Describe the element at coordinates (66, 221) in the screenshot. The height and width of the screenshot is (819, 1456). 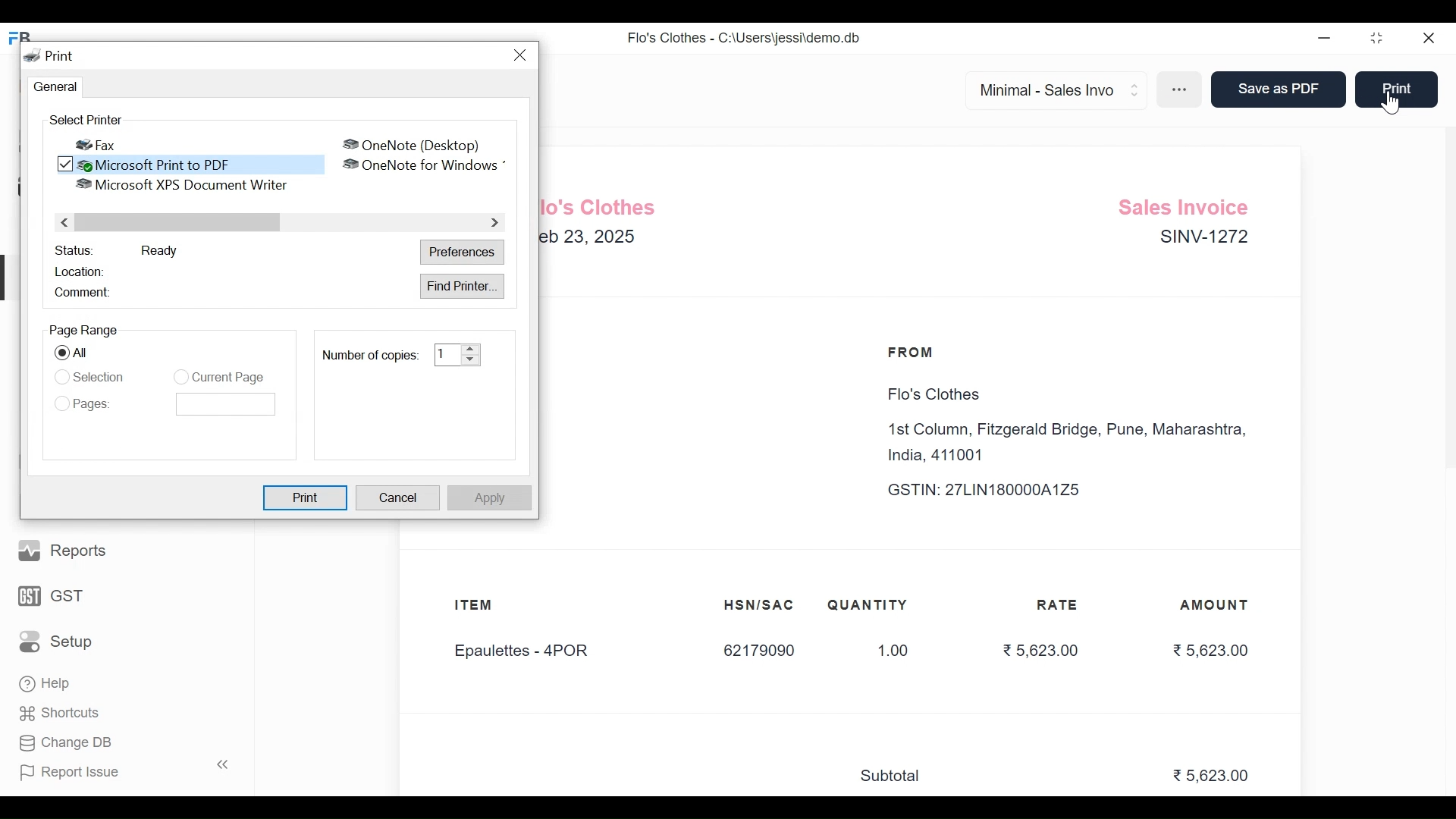
I see `Scroll left` at that location.